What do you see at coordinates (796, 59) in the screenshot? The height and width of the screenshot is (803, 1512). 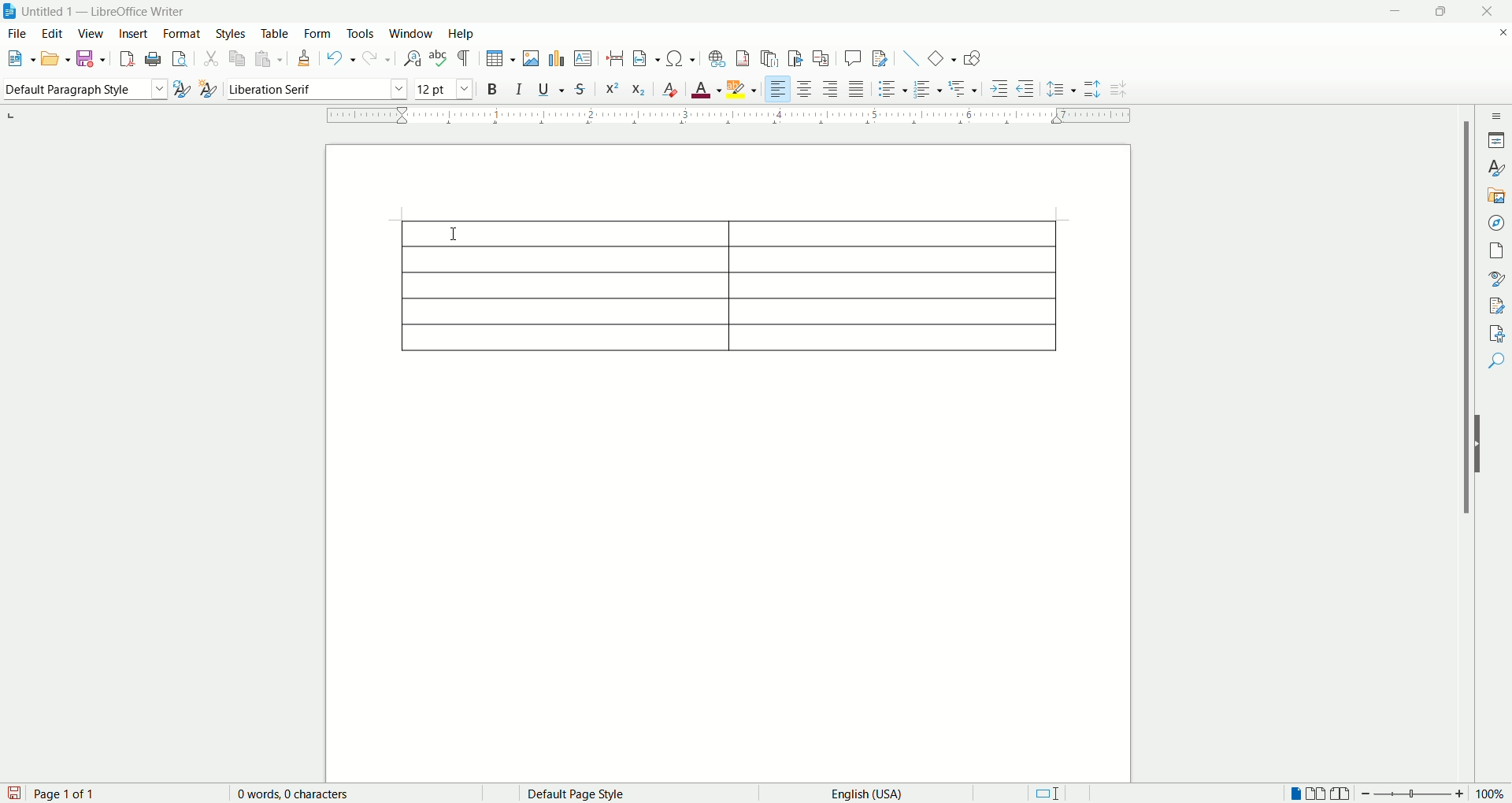 I see `insert bookmark` at bounding box center [796, 59].